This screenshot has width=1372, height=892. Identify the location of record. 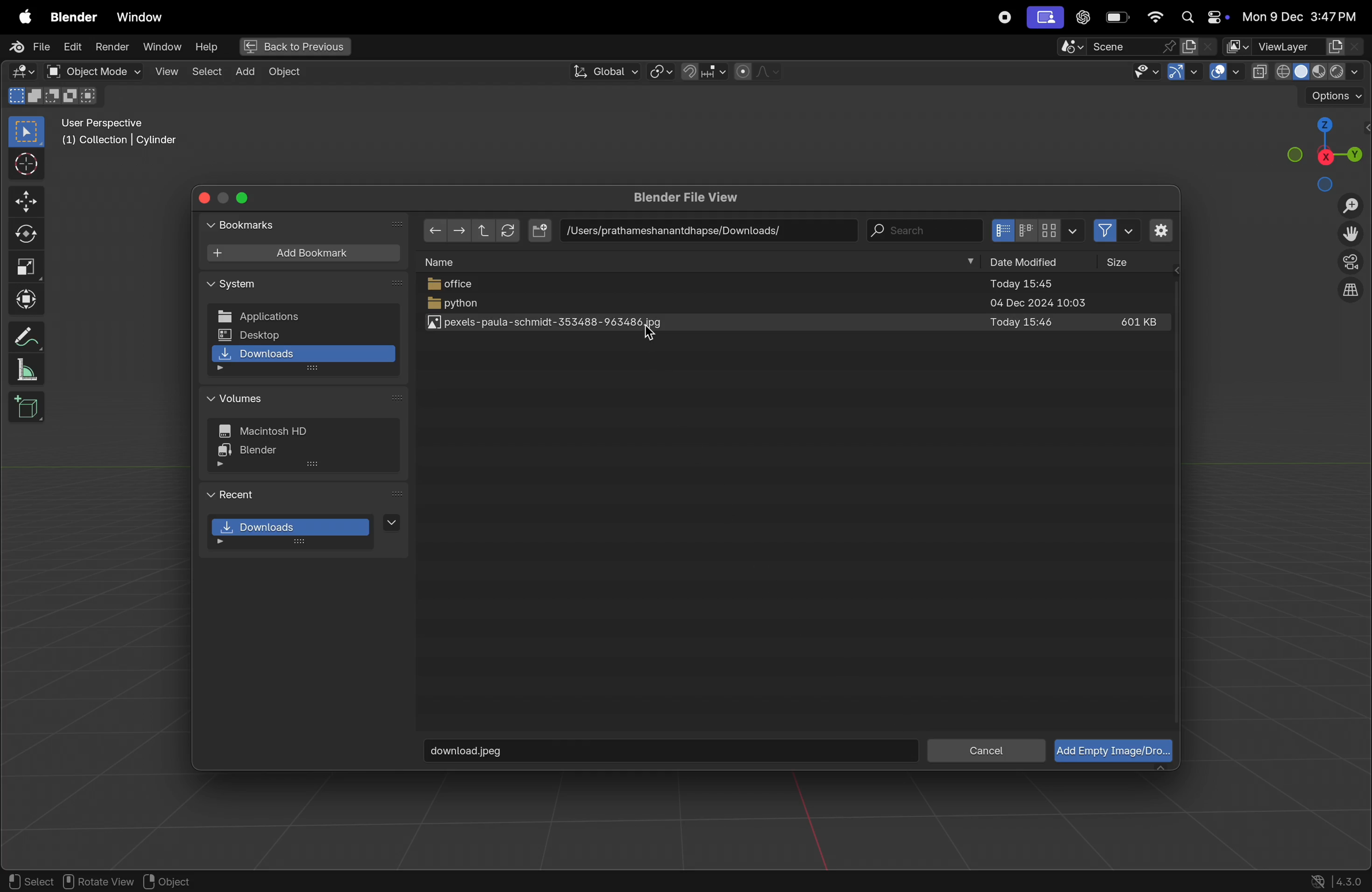
(1002, 17).